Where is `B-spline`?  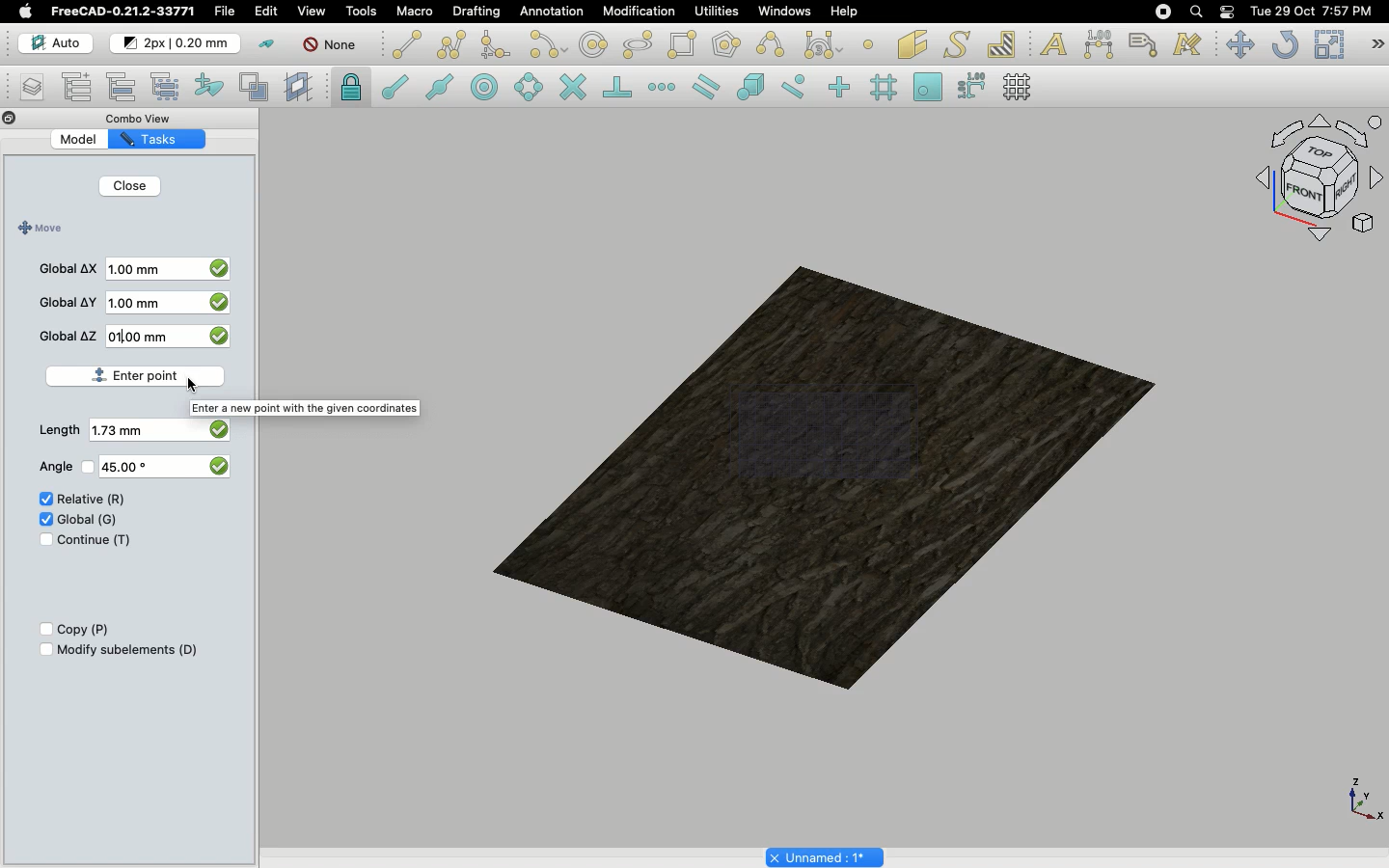
B-spline is located at coordinates (774, 44).